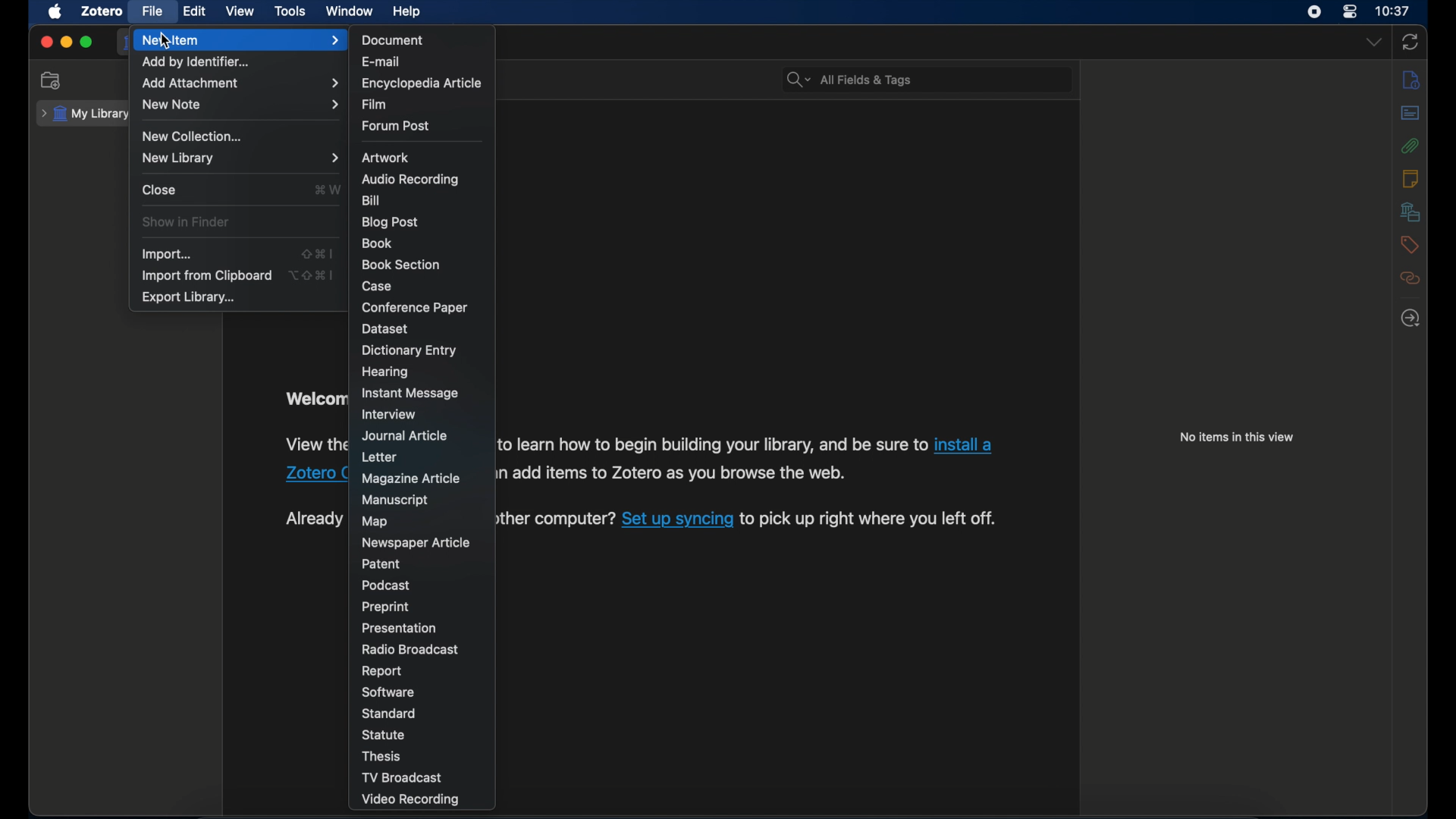 The width and height of the screenshot is (1456, 819). What do you see at coordinates (240, 105) in the screenshot?
I see `new note` at bounding box center [240, 105].